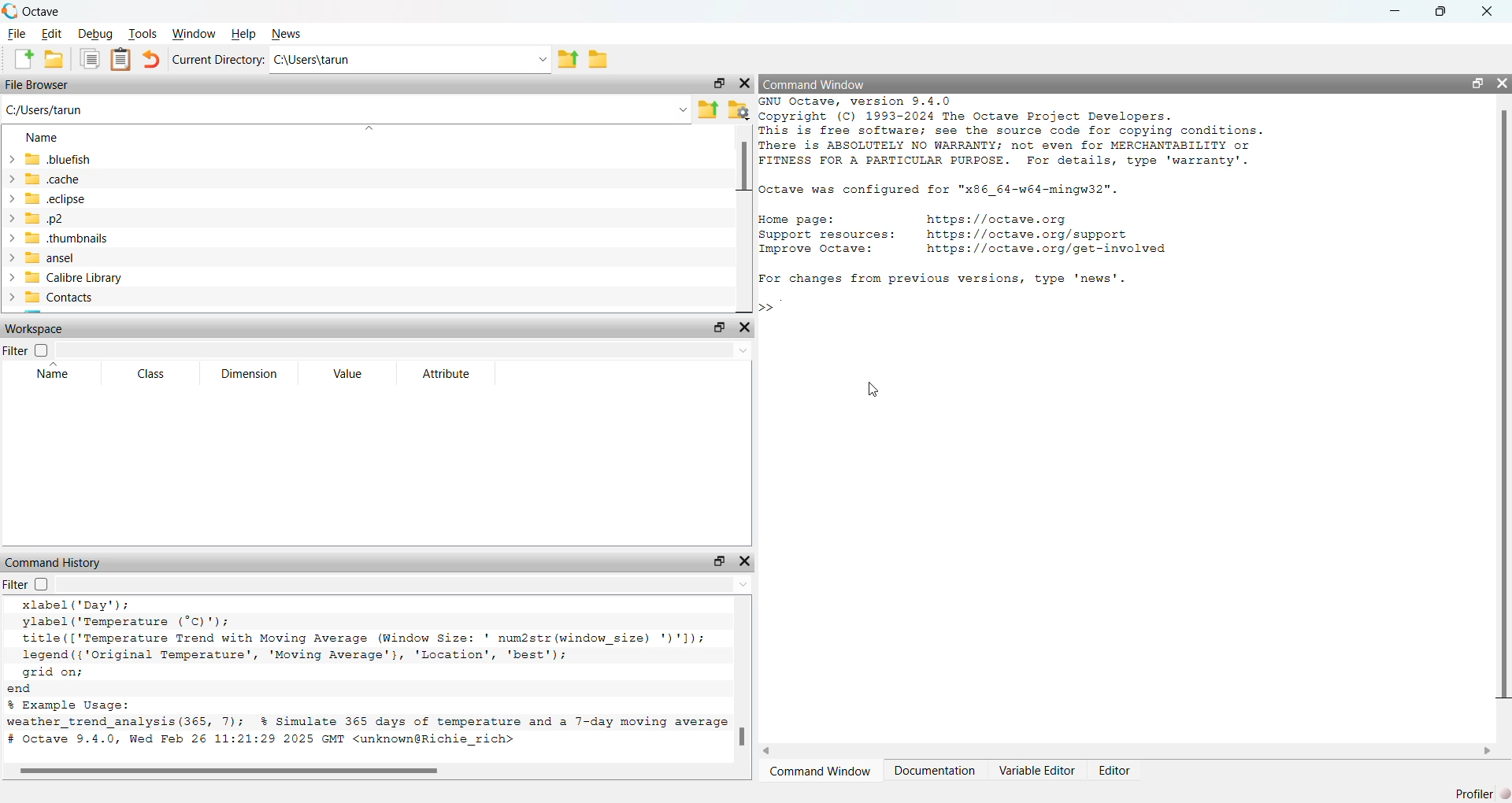 The height and width of the screenshot is (803, 1512). I want to click on Name, so click(44, 139).